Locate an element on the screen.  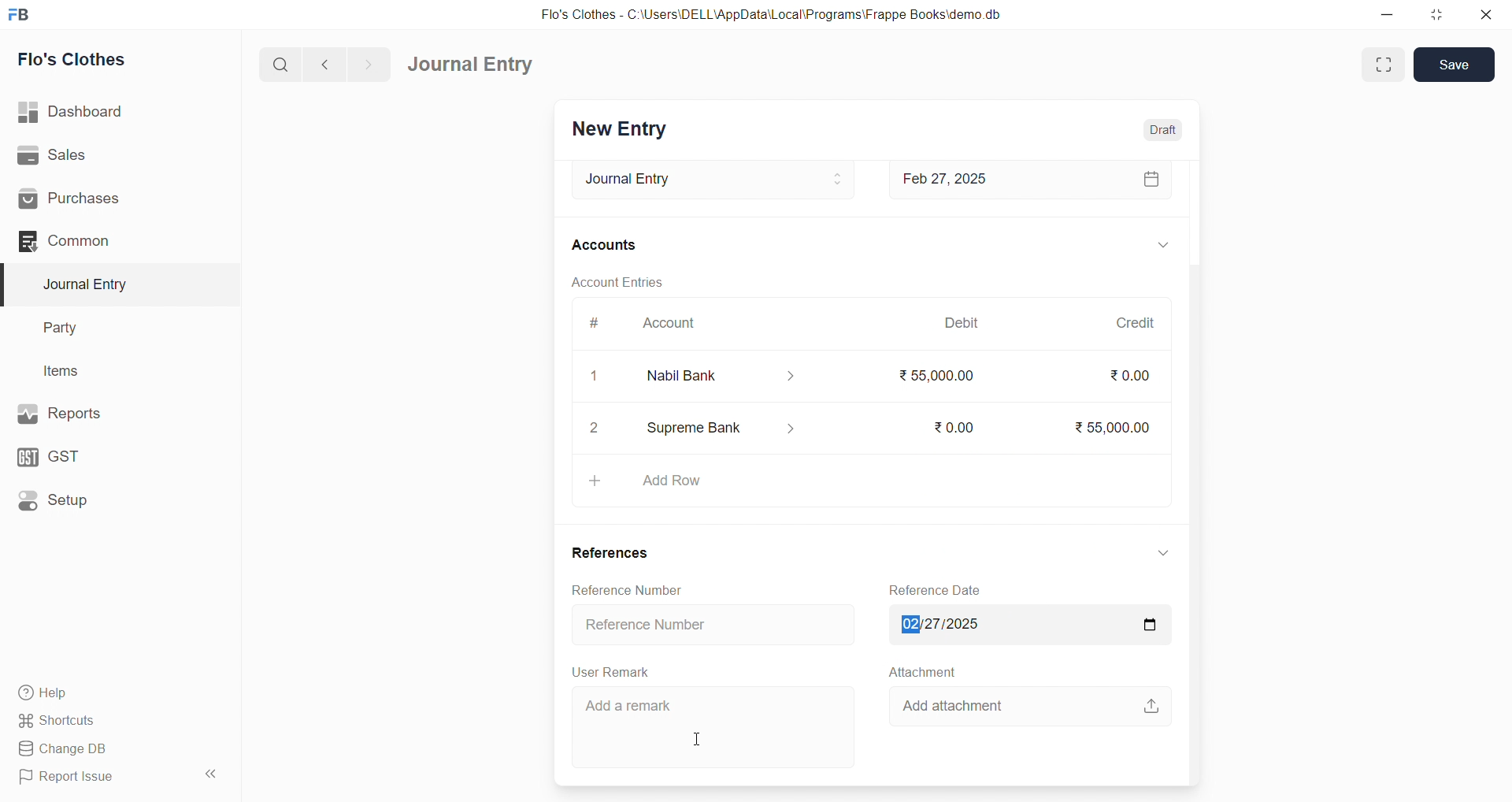
Reference Number is located at coordinates (710, 625).